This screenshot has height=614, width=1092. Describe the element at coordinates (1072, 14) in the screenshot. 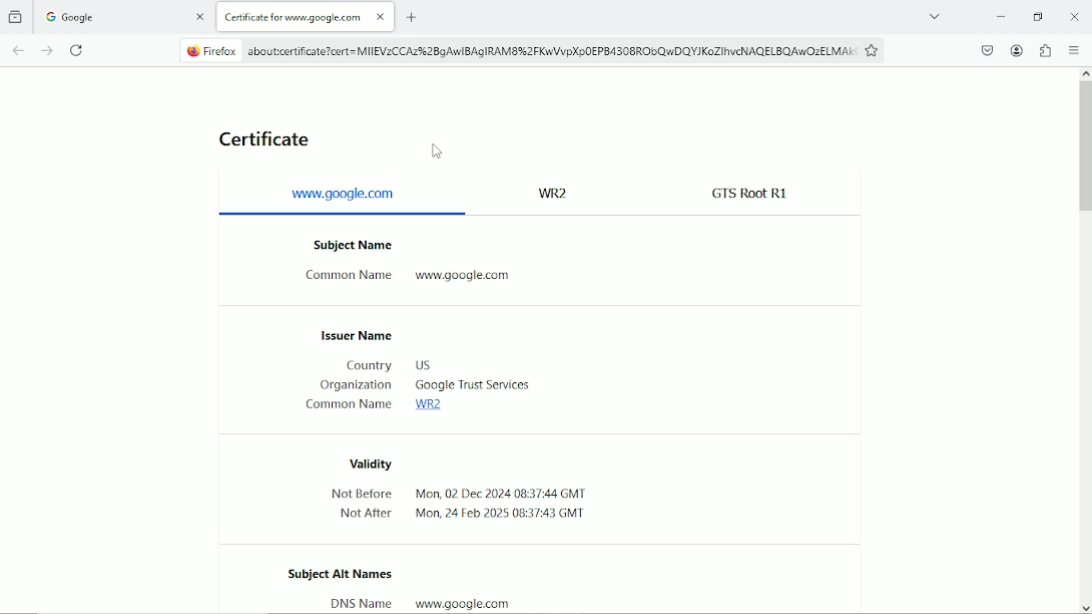

I see `Close` at that location.